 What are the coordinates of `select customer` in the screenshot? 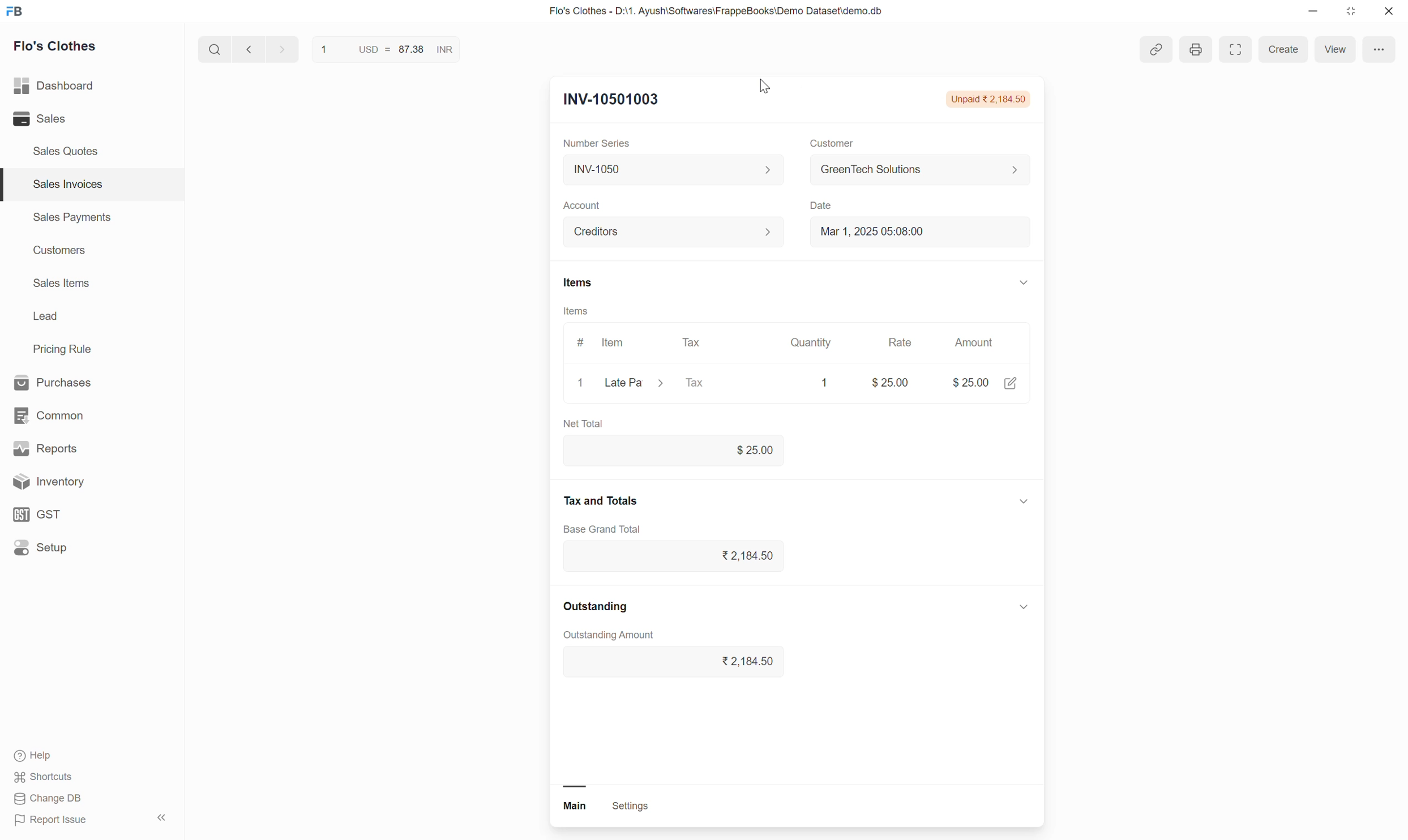 It's located at (911, 172).